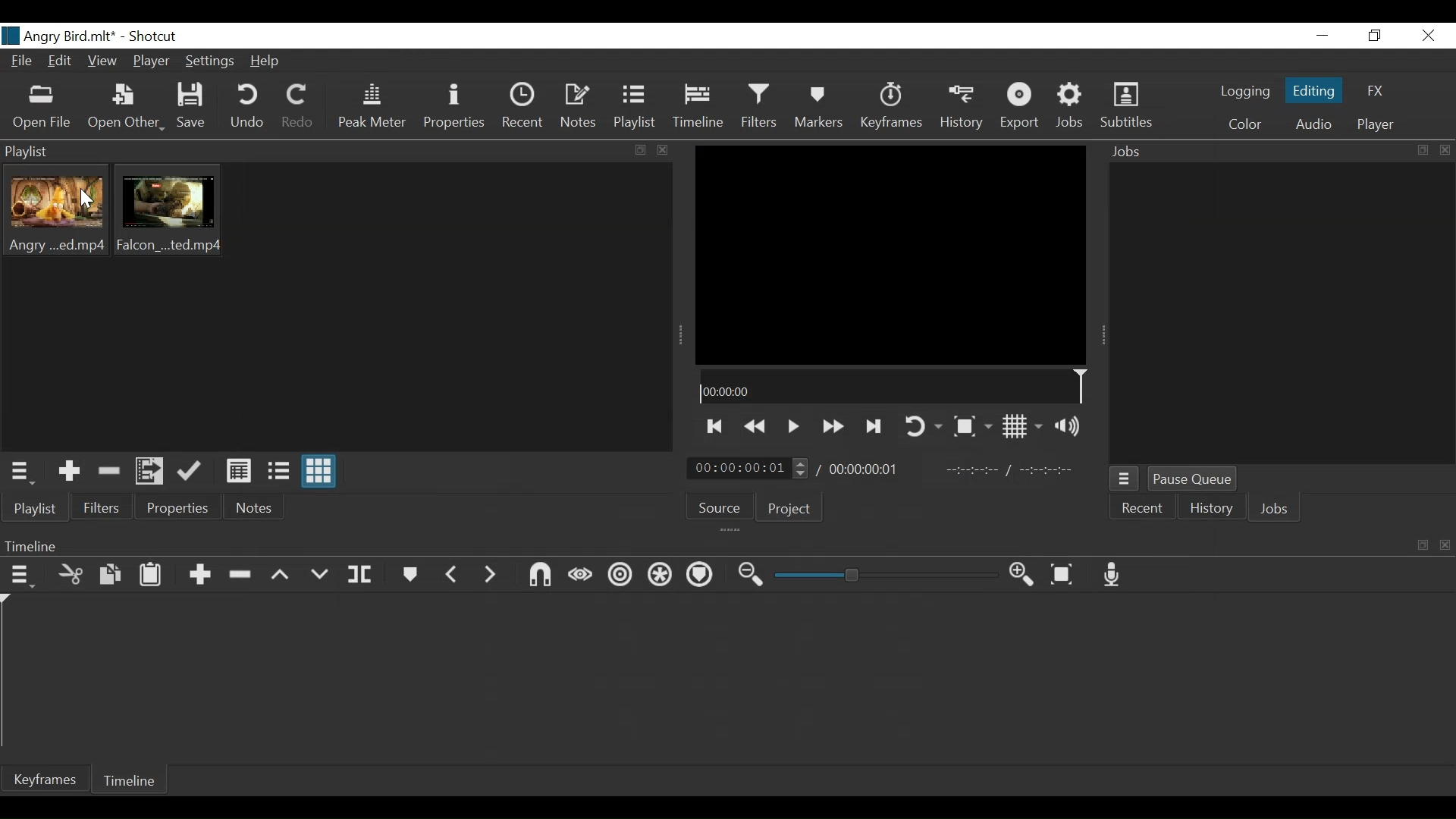  What do you see at coordinates (1141, 510) in the screenshot?
I see `Recent` at bounding box center [1141, 510].